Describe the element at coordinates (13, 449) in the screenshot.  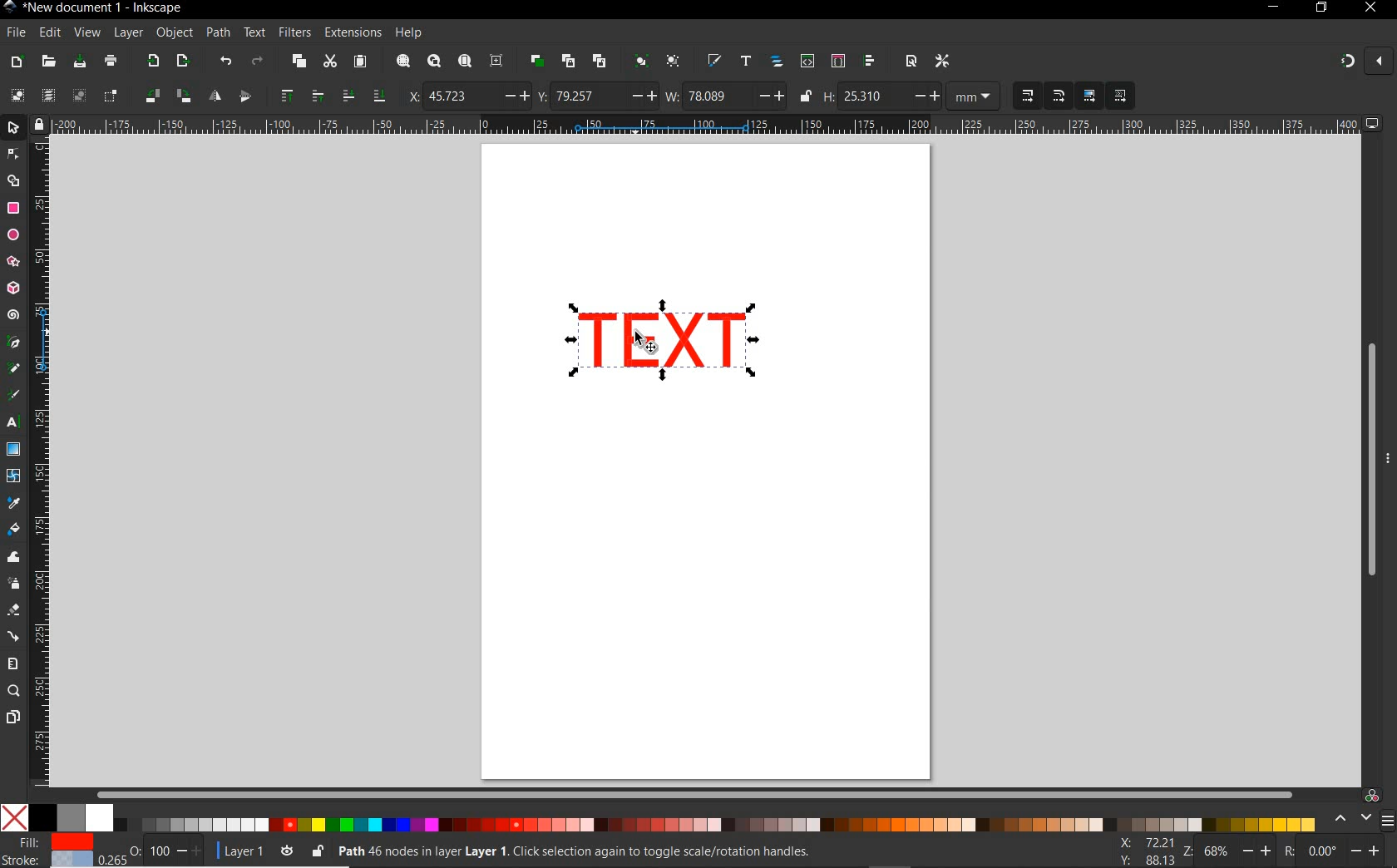
I see `GRADIENT TOOL` at that location.